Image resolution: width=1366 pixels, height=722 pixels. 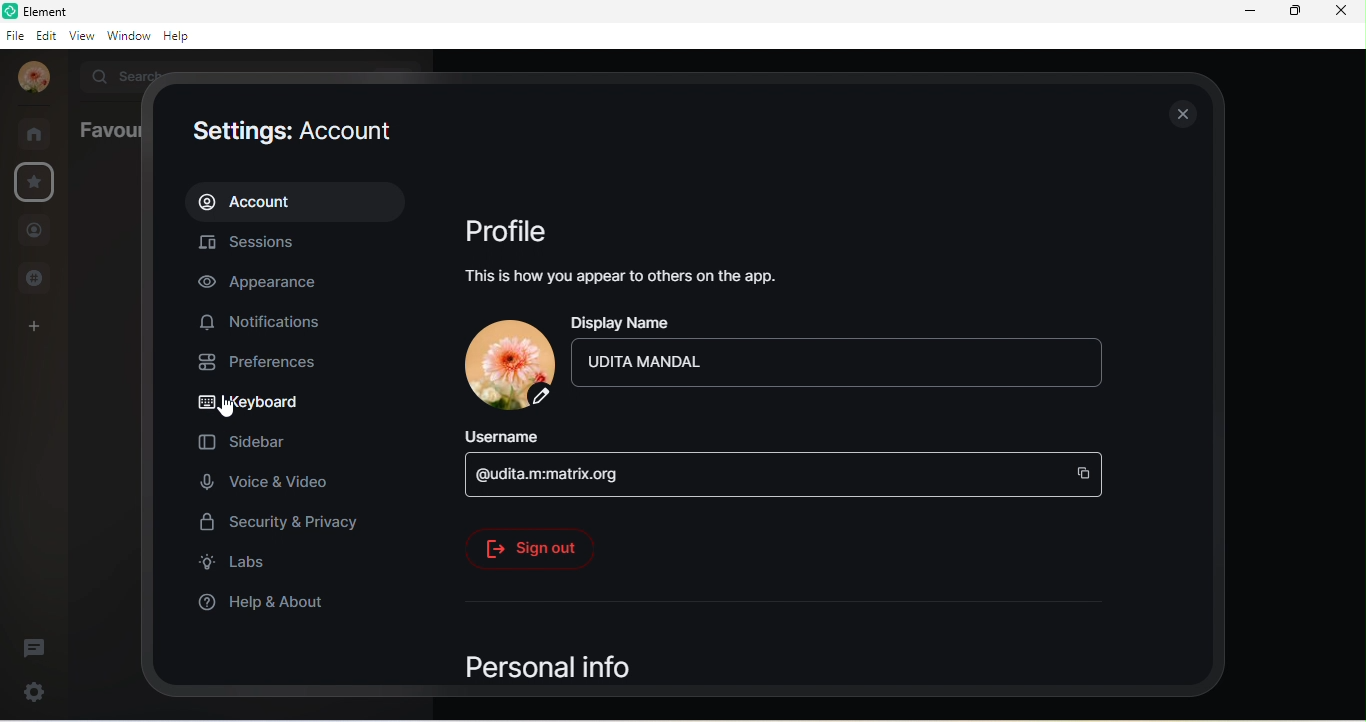 What do you see at coordinates (292, 134) in the screenshot?
I see `settings: account` at bounding box center [292, 134].